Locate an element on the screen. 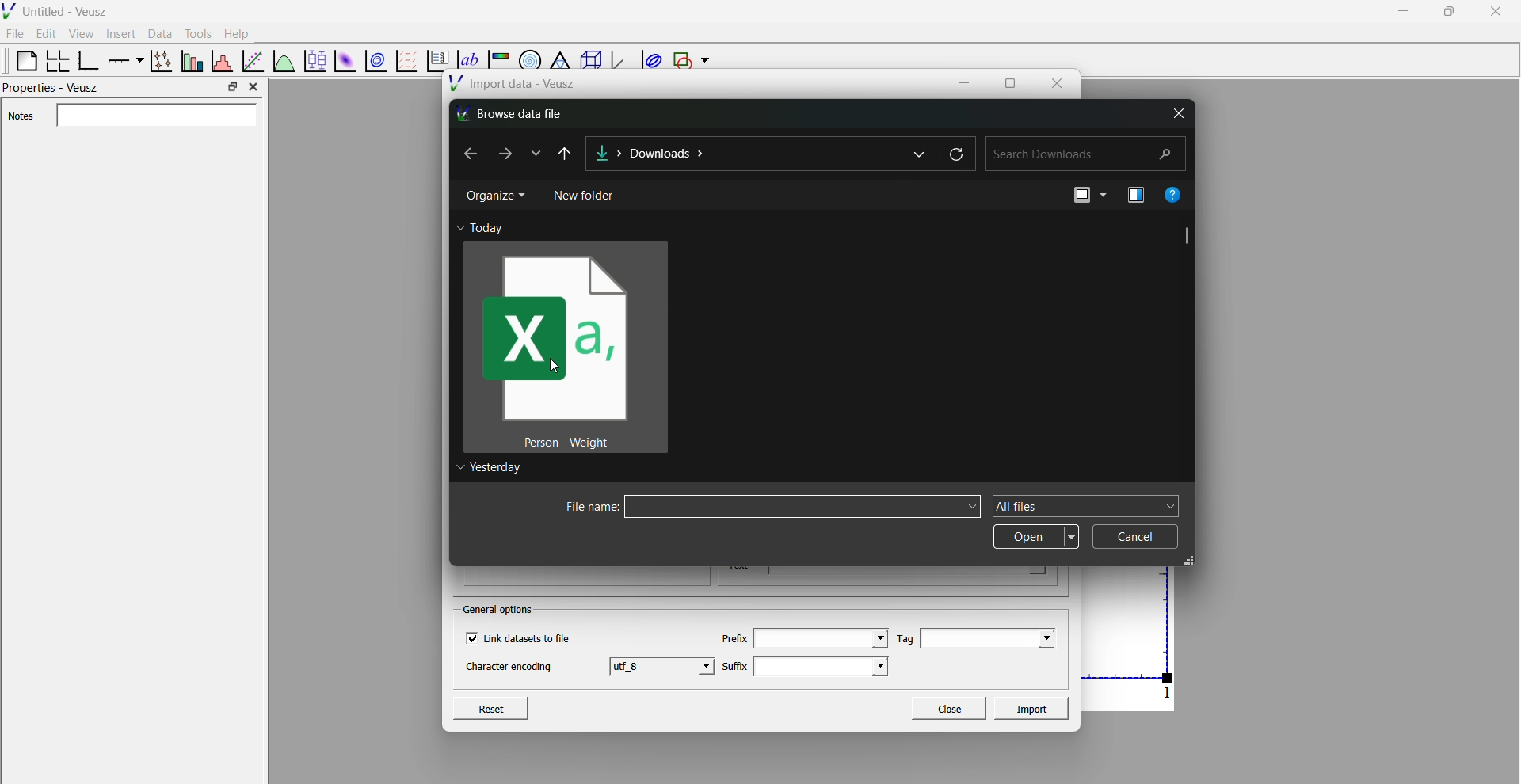 Image resolution: width=1521 pixels, height=784 pixels. view is located at coordinates (81, 36).